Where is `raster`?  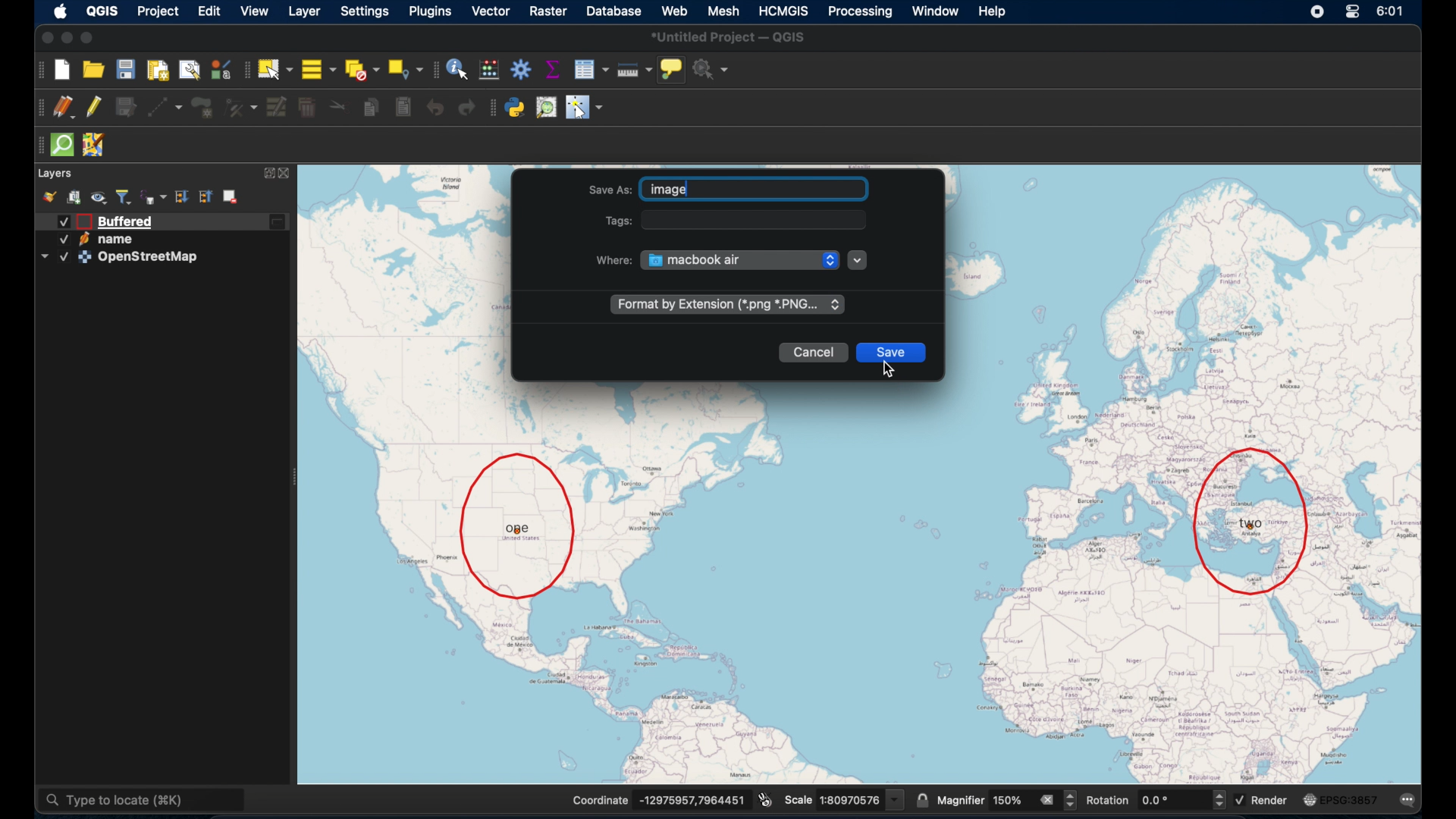
raster is located at coordinates (549, 11).